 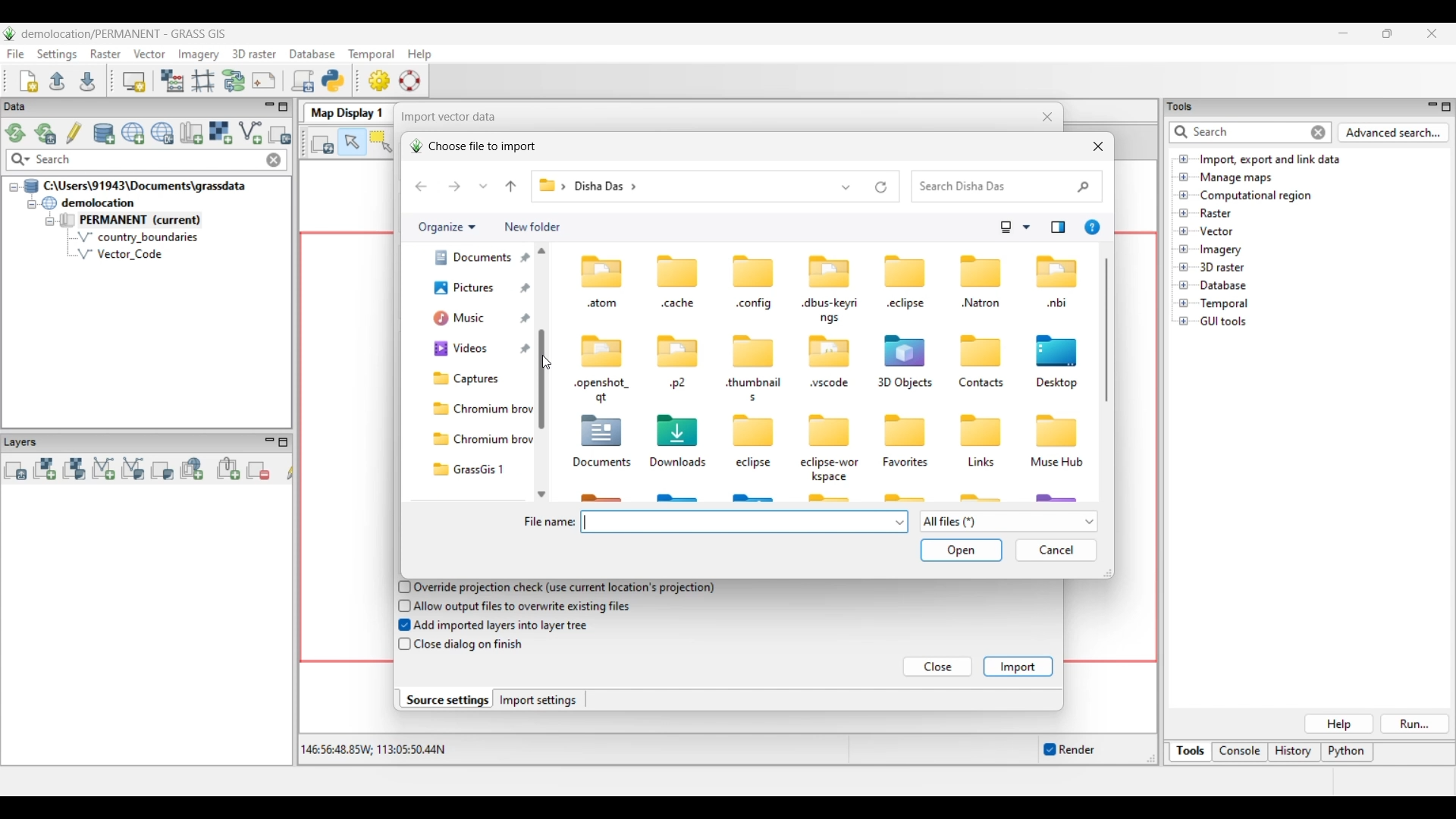 What do you see at coordinates (400, 626) in the screenshot?
I see `checkbox` at bounding box center [400, 626].